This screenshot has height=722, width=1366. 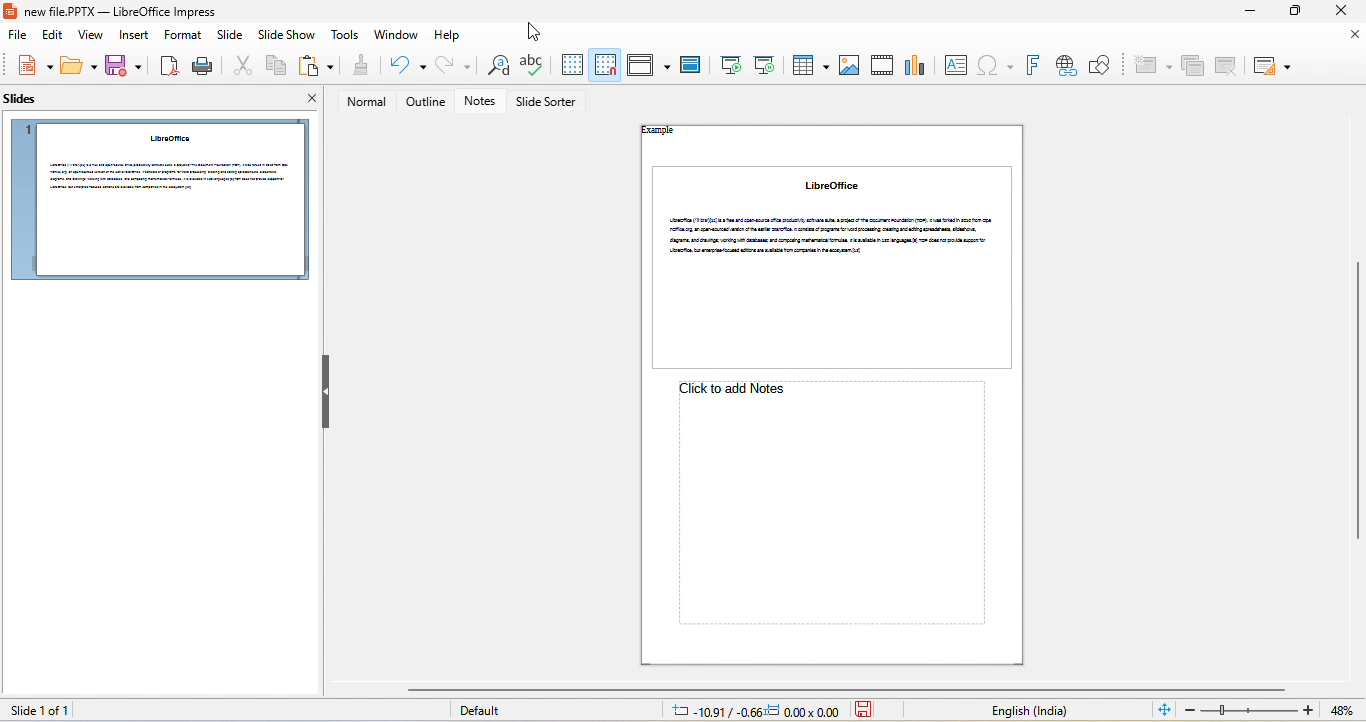 I want to click on table, so click(x=808, y=64).